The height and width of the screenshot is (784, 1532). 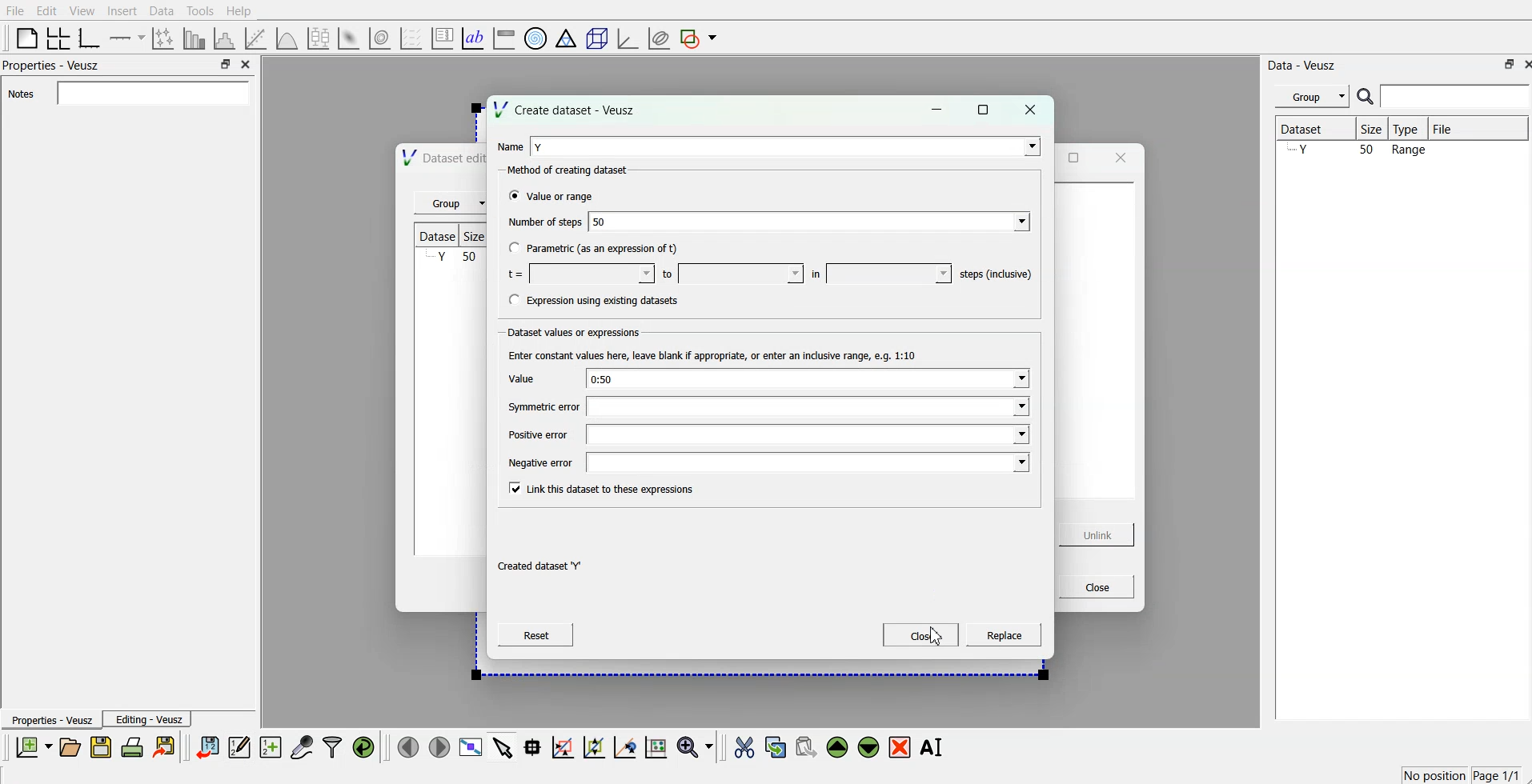 What do you see at coordinates (208, 748) in the screenshot?
I see `import data points` at bounding box center [208, 748].